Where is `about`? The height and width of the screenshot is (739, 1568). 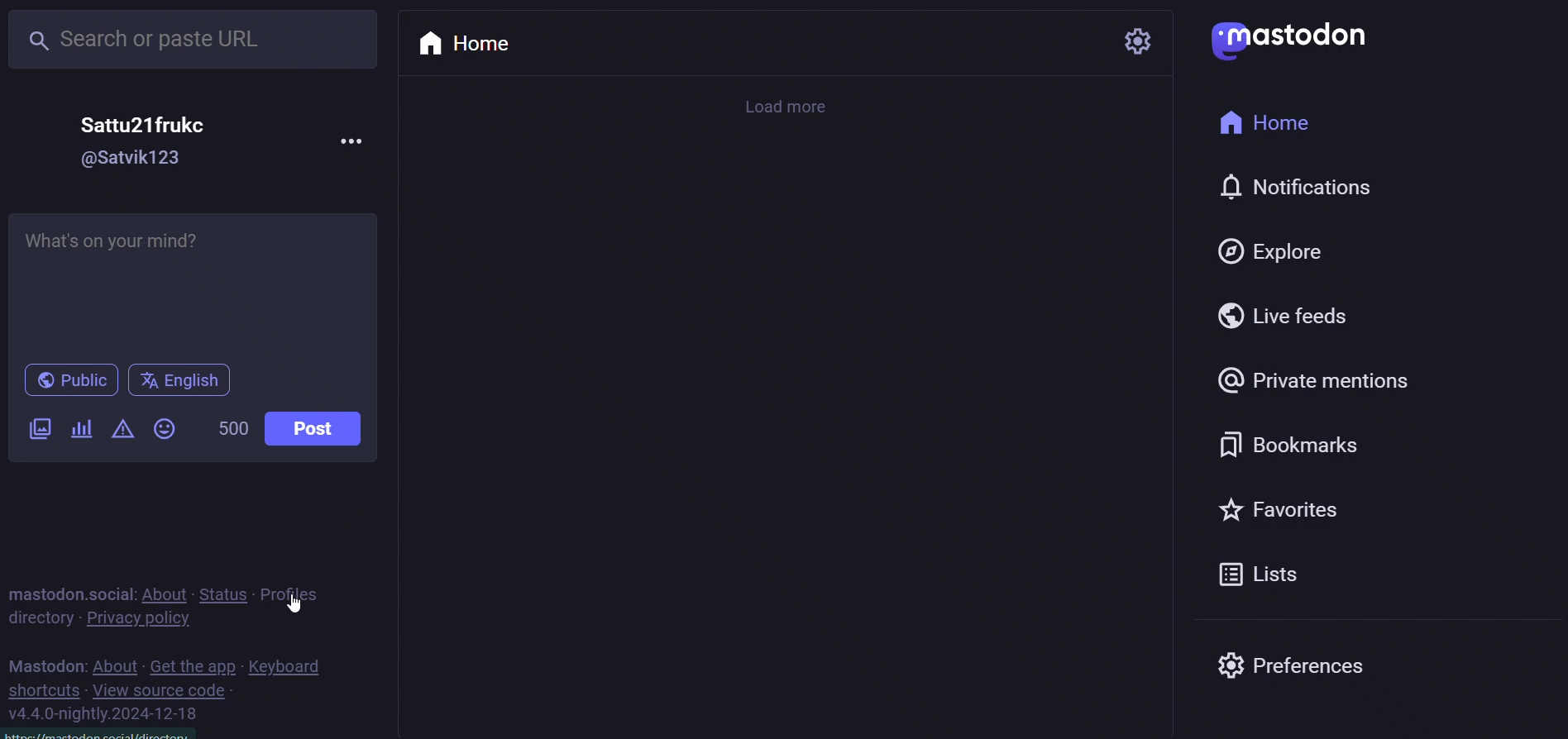
about is located at coordinates (115, 667).